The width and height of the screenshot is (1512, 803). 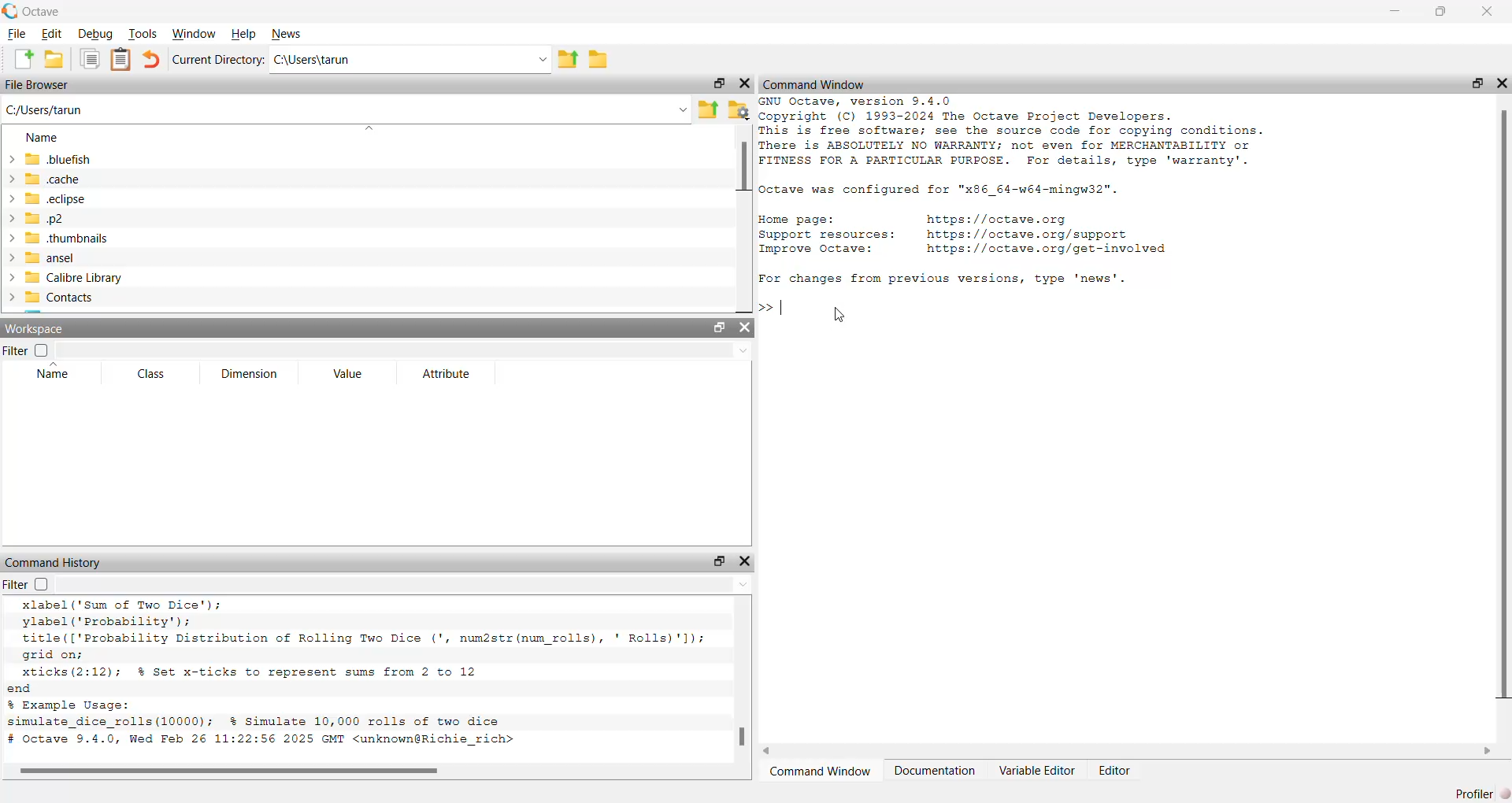 I want to click on minimize, so click(x=1391, y=13).